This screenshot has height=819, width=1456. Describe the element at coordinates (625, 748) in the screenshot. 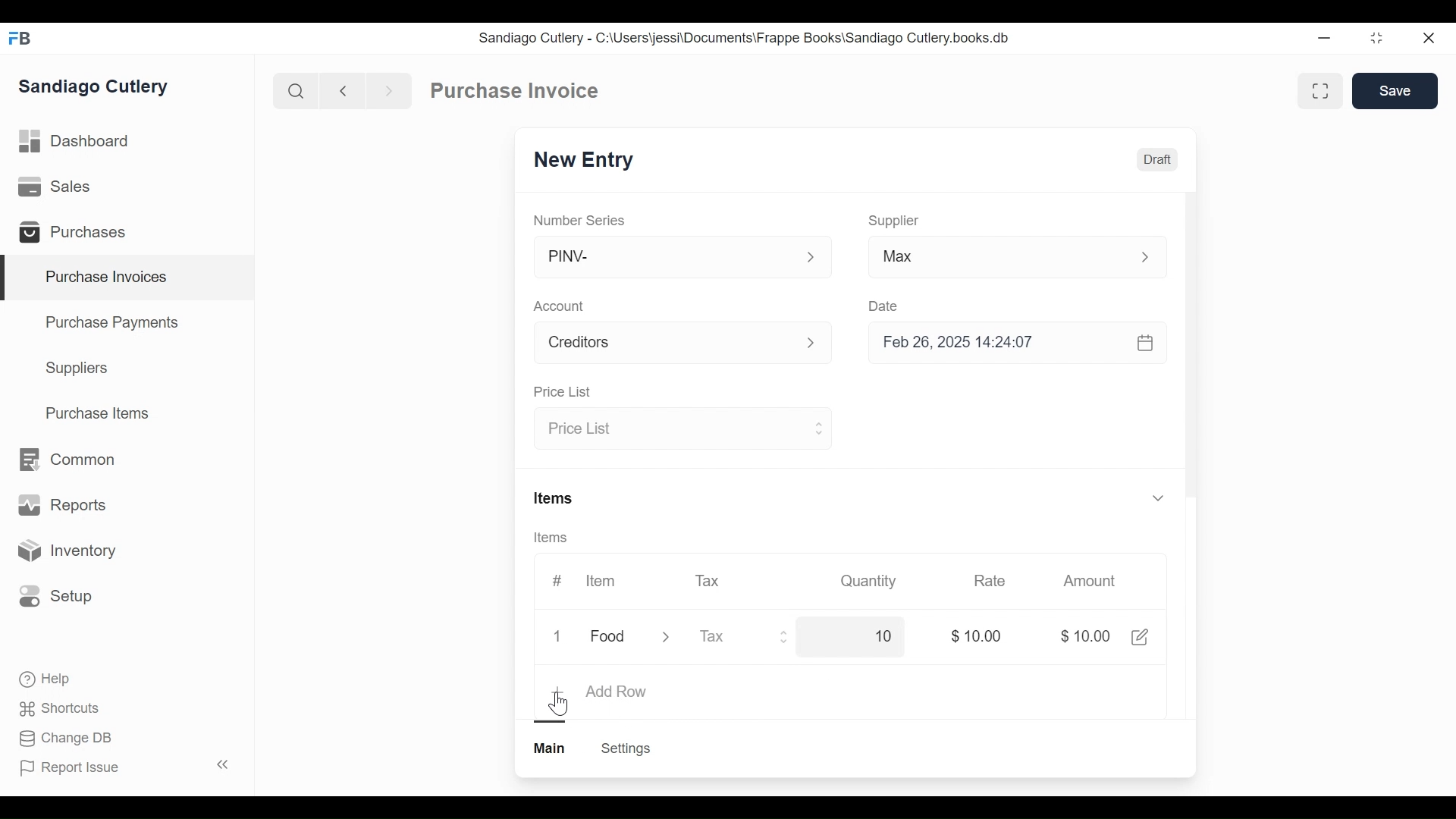

I see `Settings` at that location.